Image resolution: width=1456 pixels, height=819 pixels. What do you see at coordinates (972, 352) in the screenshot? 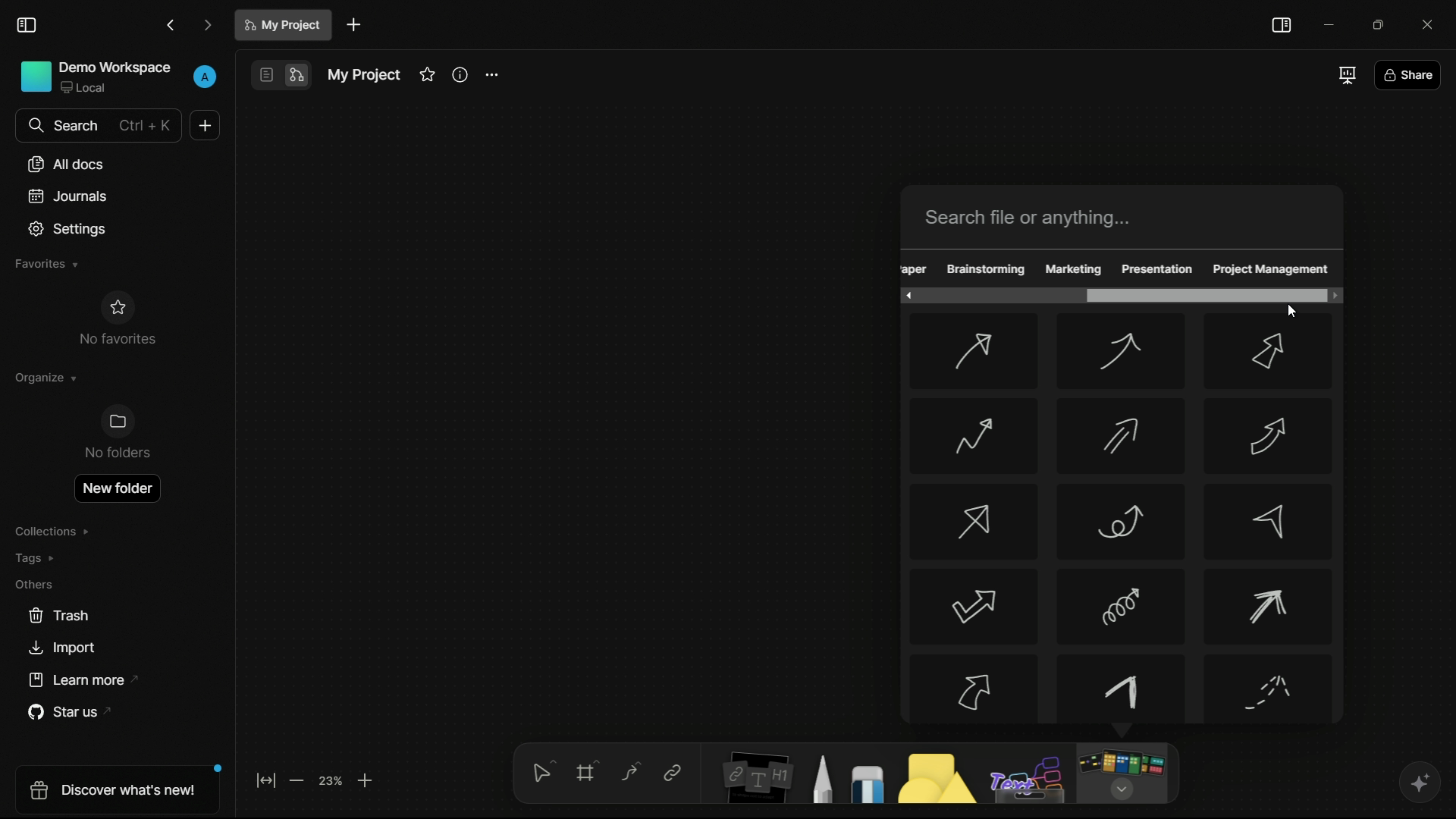
I see `arrow-1` at bounding box center [972, 352].